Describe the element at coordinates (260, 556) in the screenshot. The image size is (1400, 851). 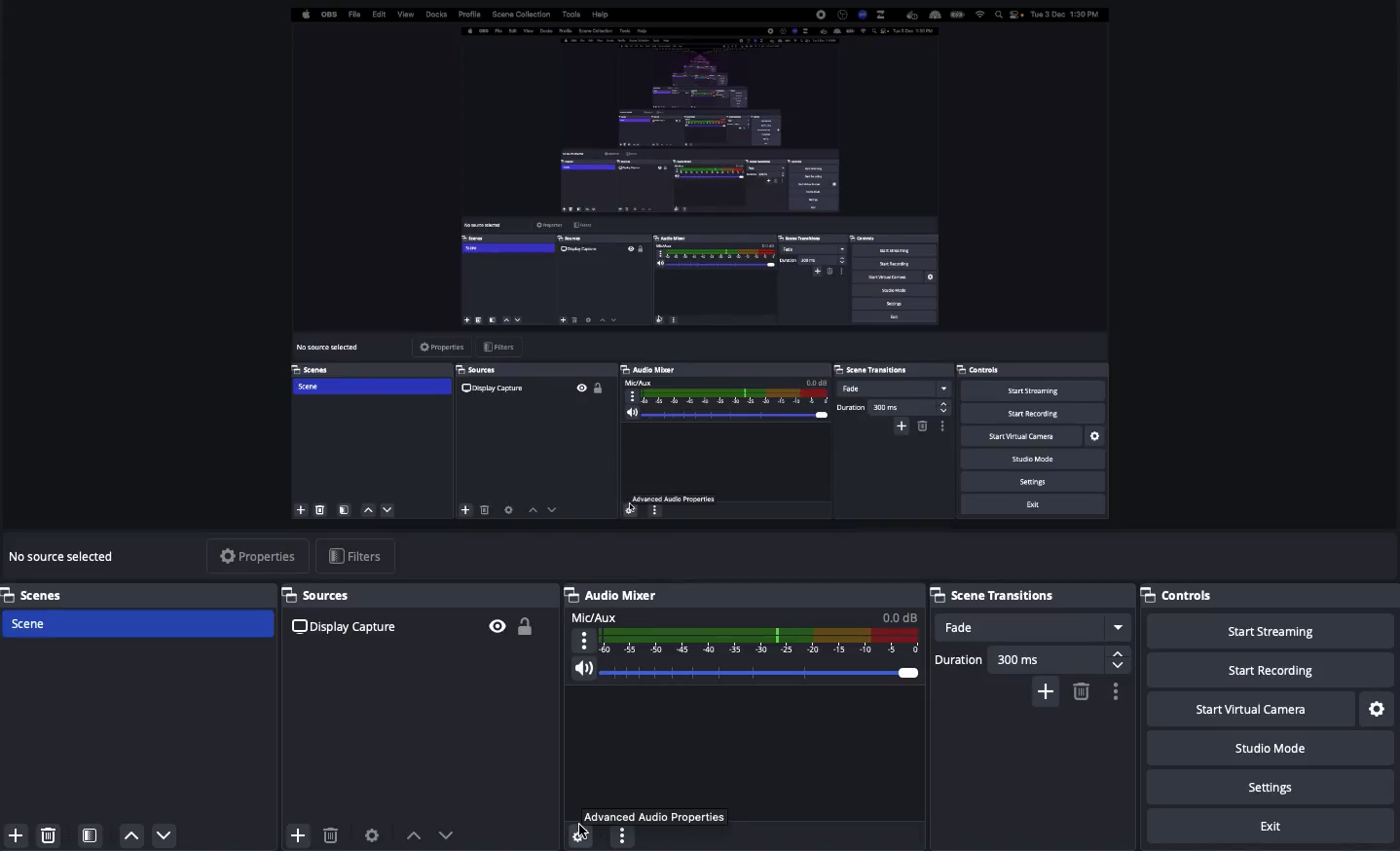
I see `Properties` at that location.